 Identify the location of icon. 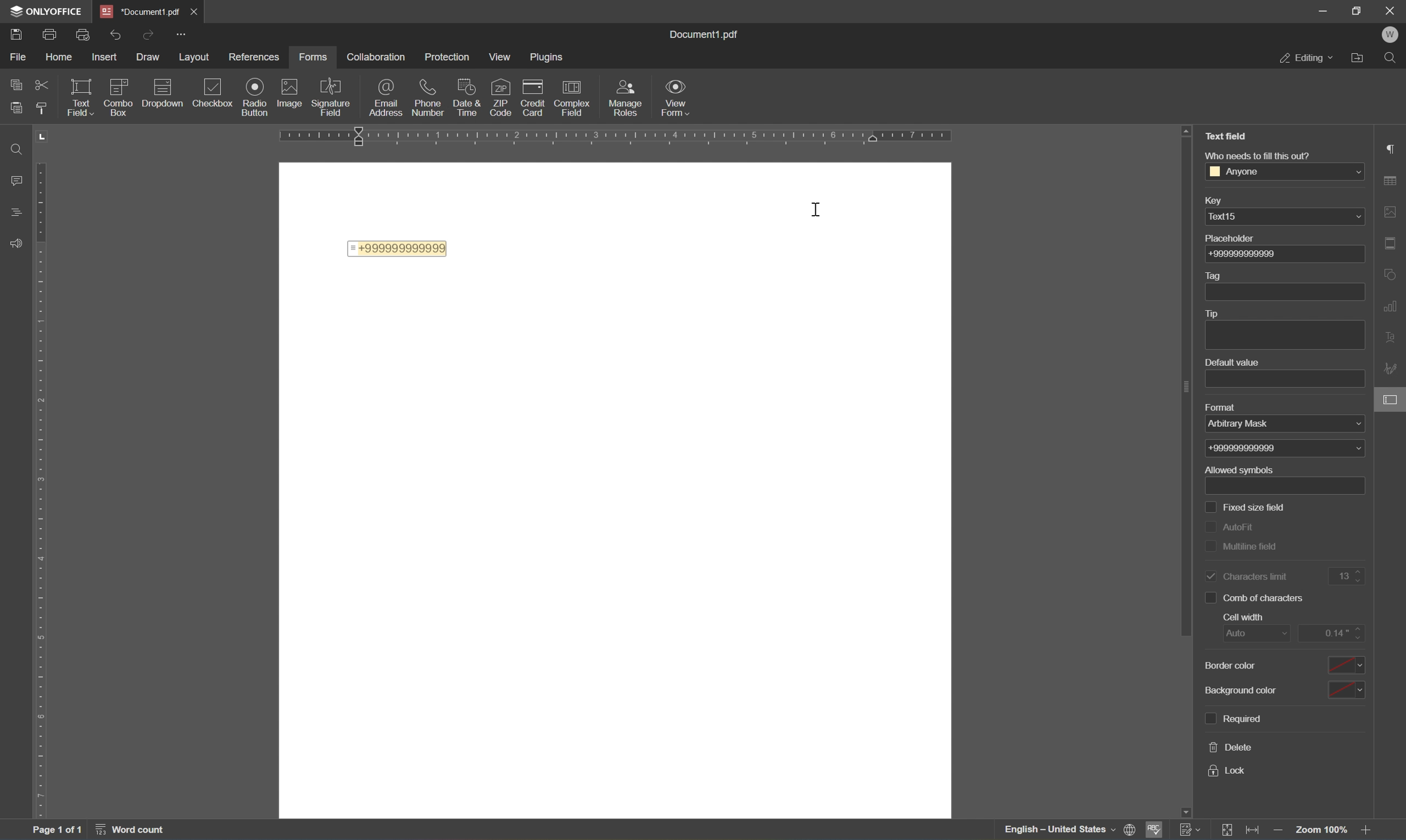
(501, 92).